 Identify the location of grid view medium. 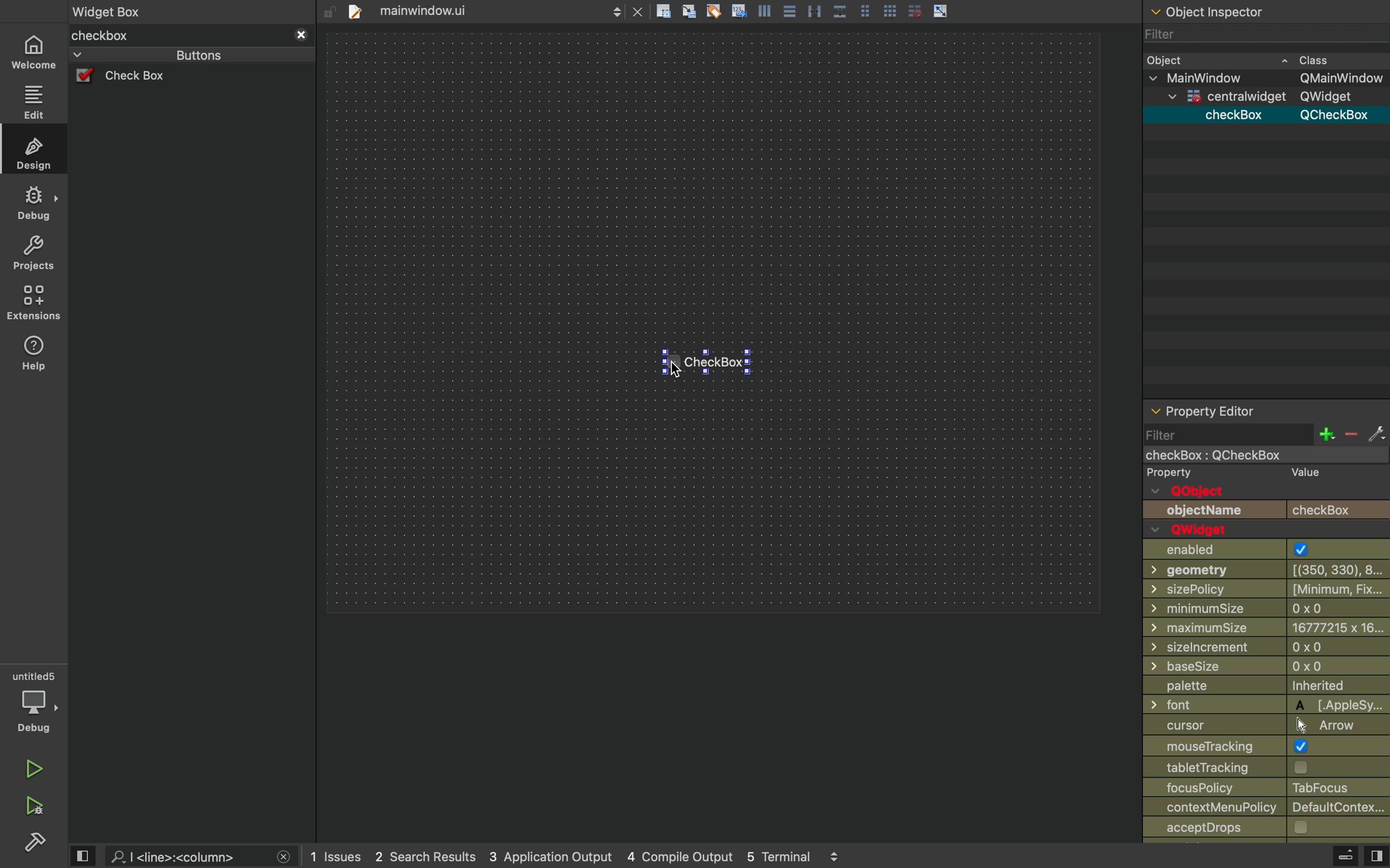
(864, 10).